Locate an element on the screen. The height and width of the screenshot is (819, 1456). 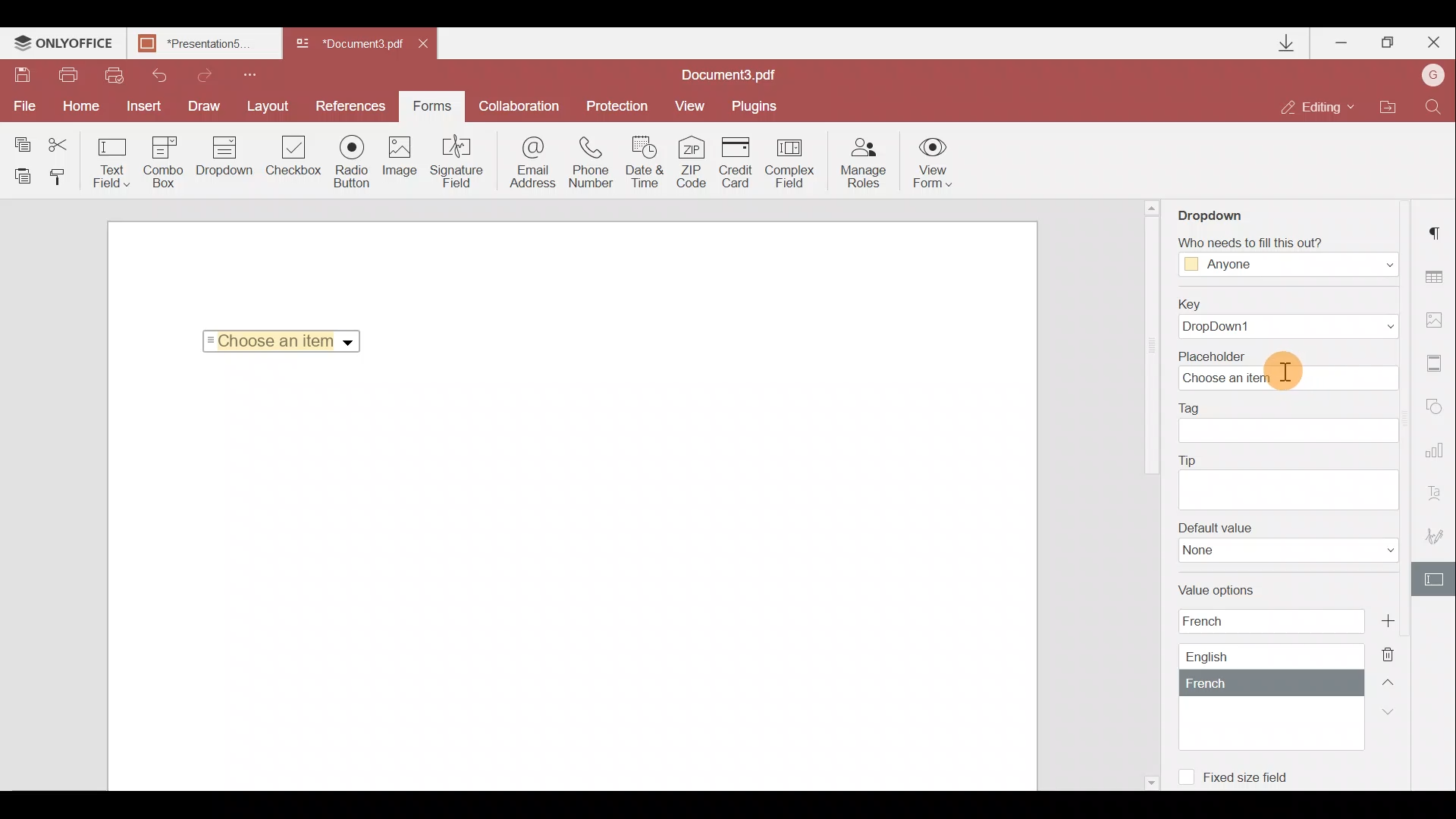
Image settings is located at coordinates (1438, 316).